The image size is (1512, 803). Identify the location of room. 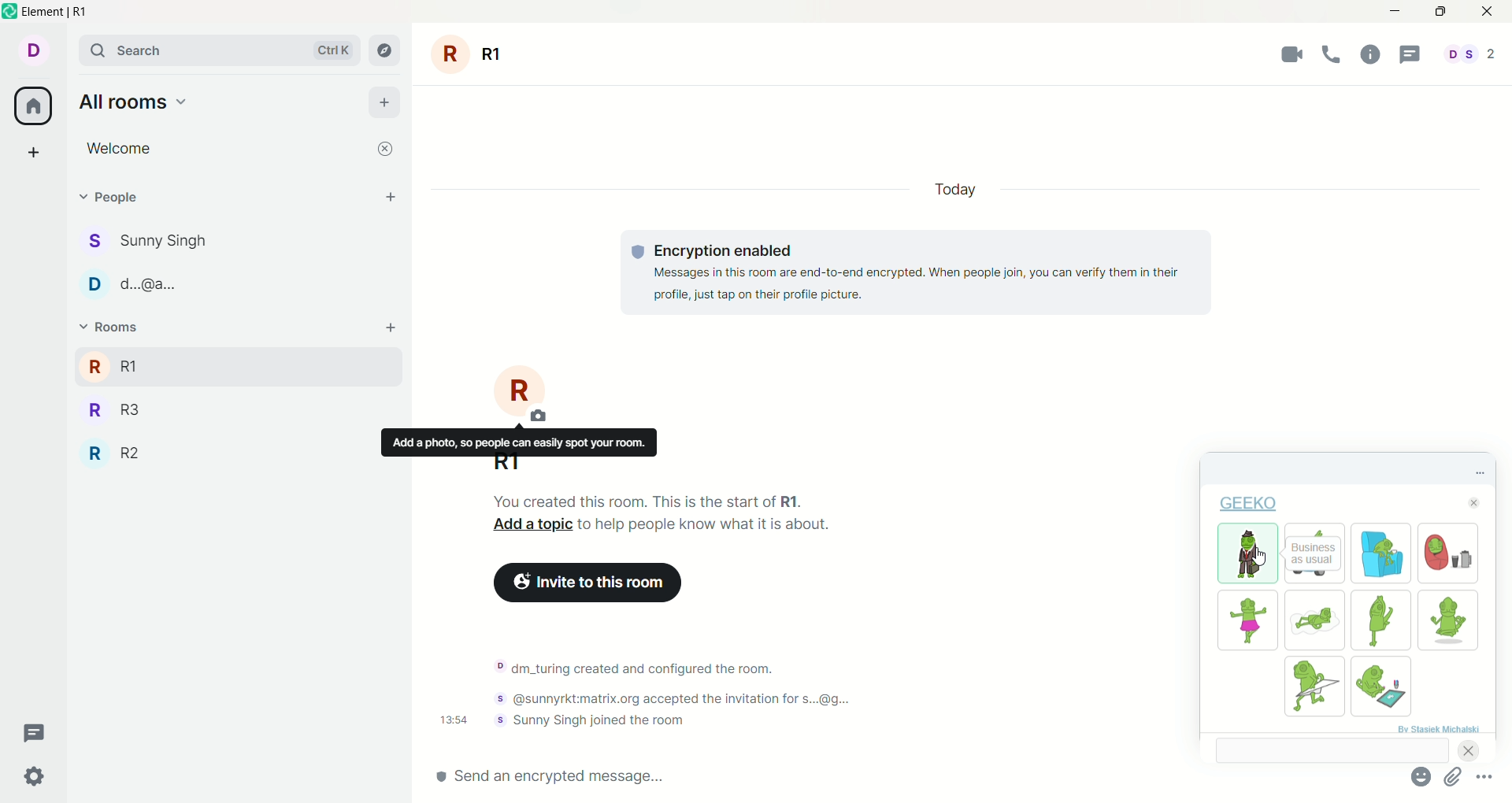
(469, 54).